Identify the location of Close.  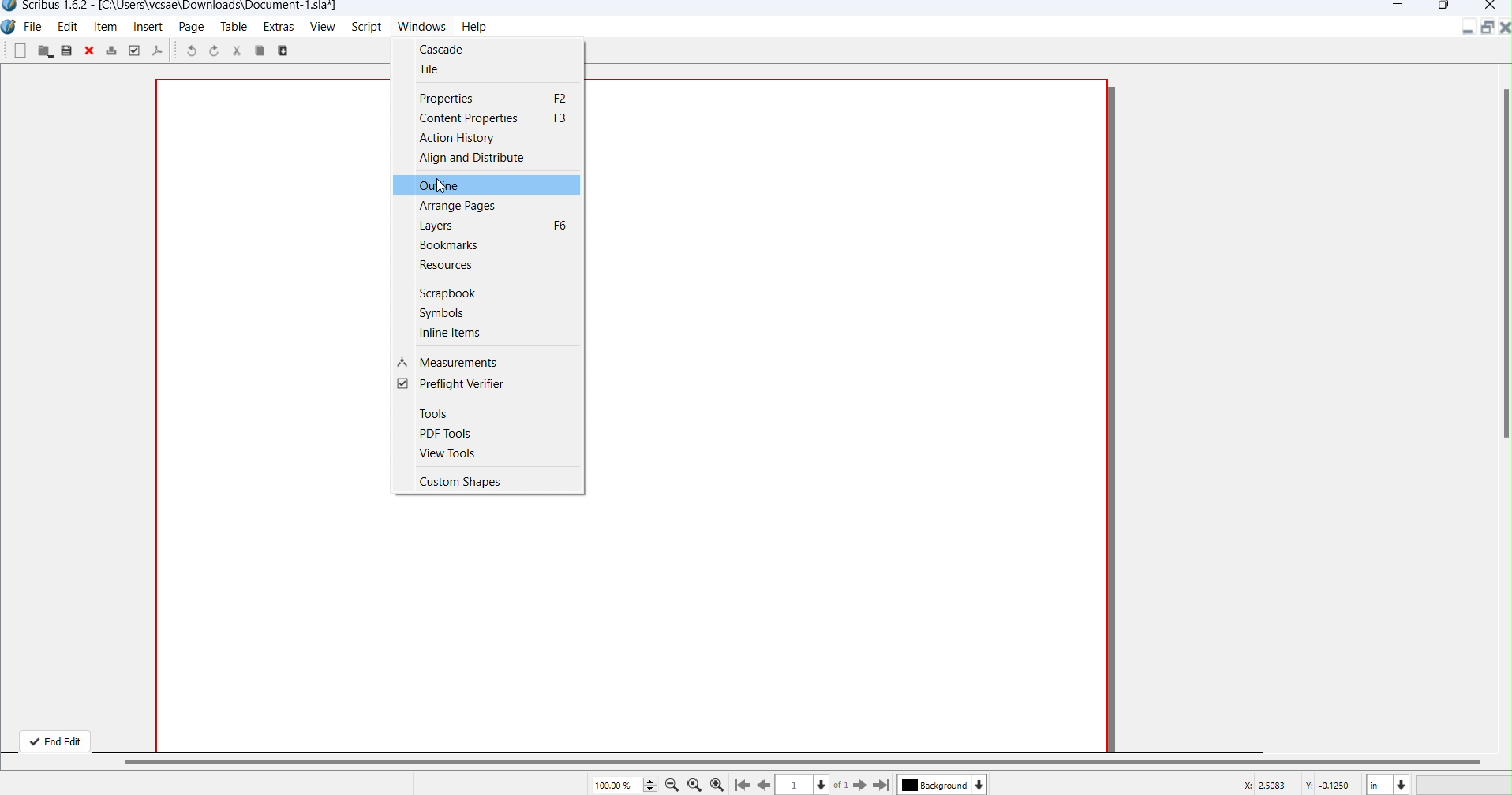
(1492, 7).